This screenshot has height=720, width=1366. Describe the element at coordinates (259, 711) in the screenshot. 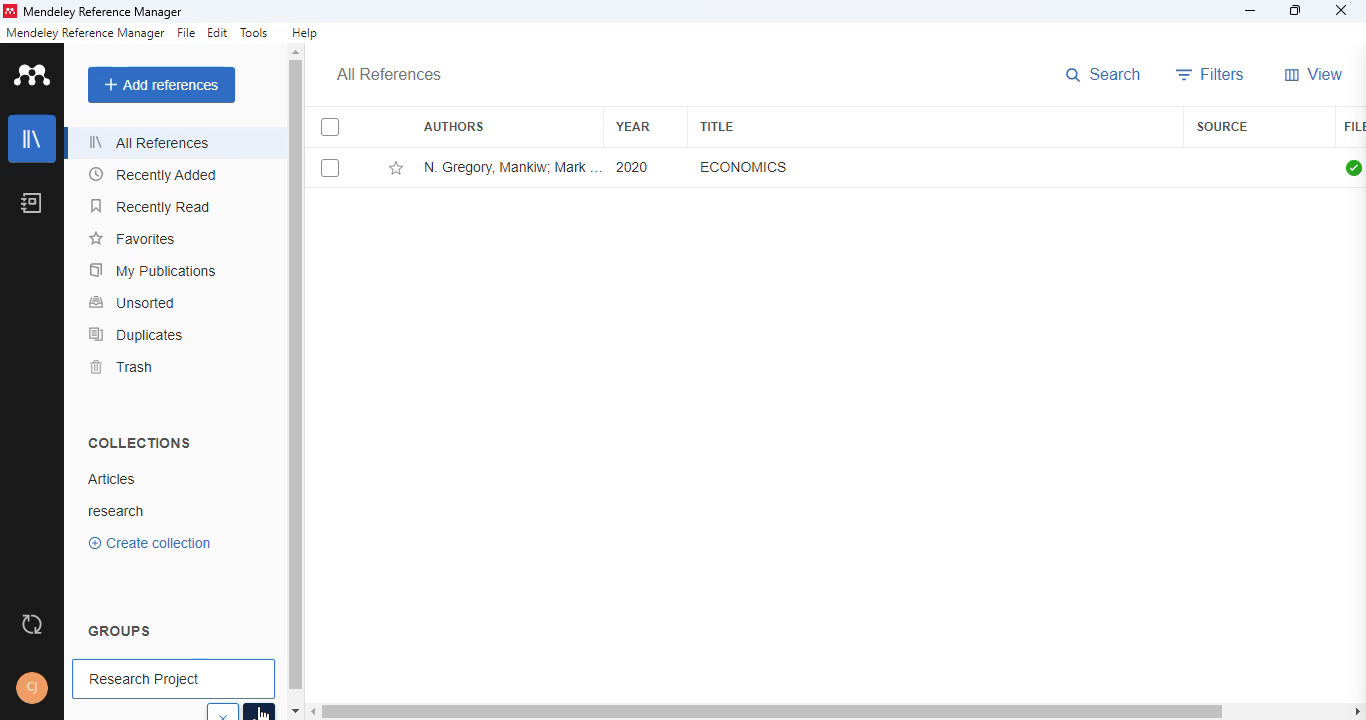

I see `select` at that location.